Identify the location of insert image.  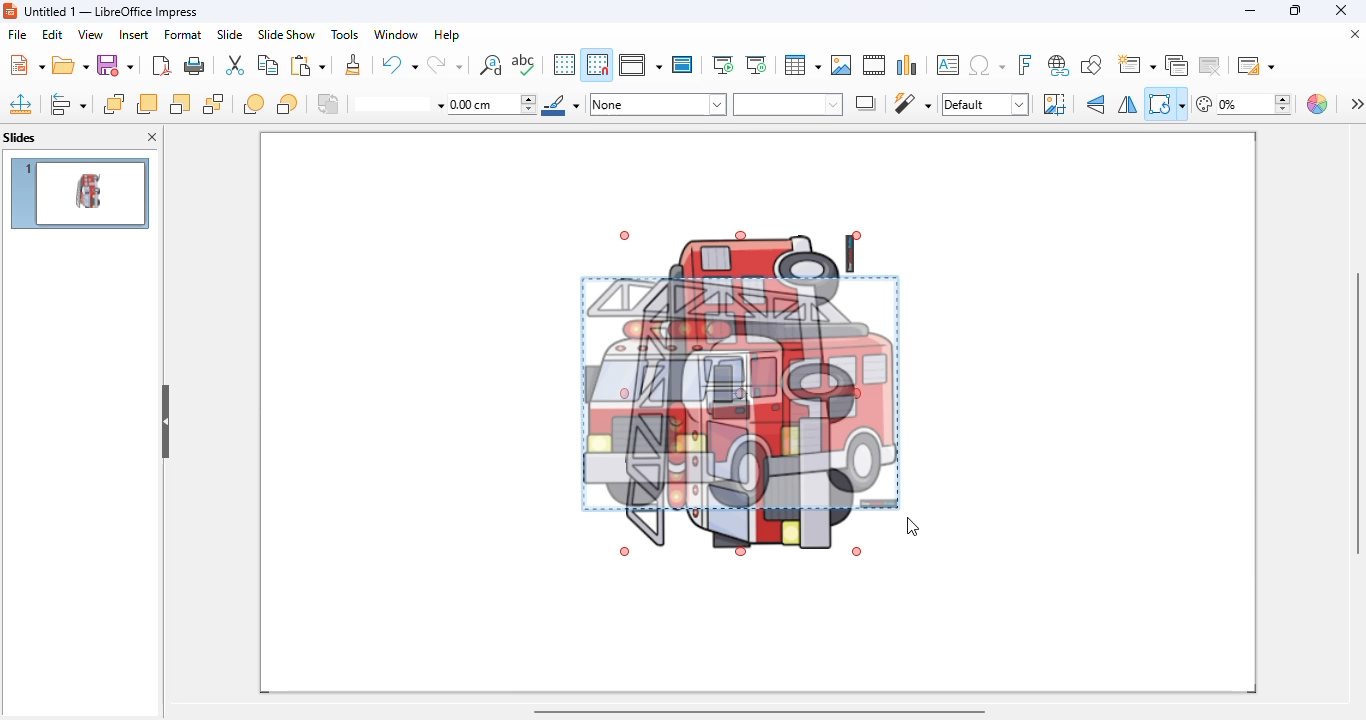
(841, 65).